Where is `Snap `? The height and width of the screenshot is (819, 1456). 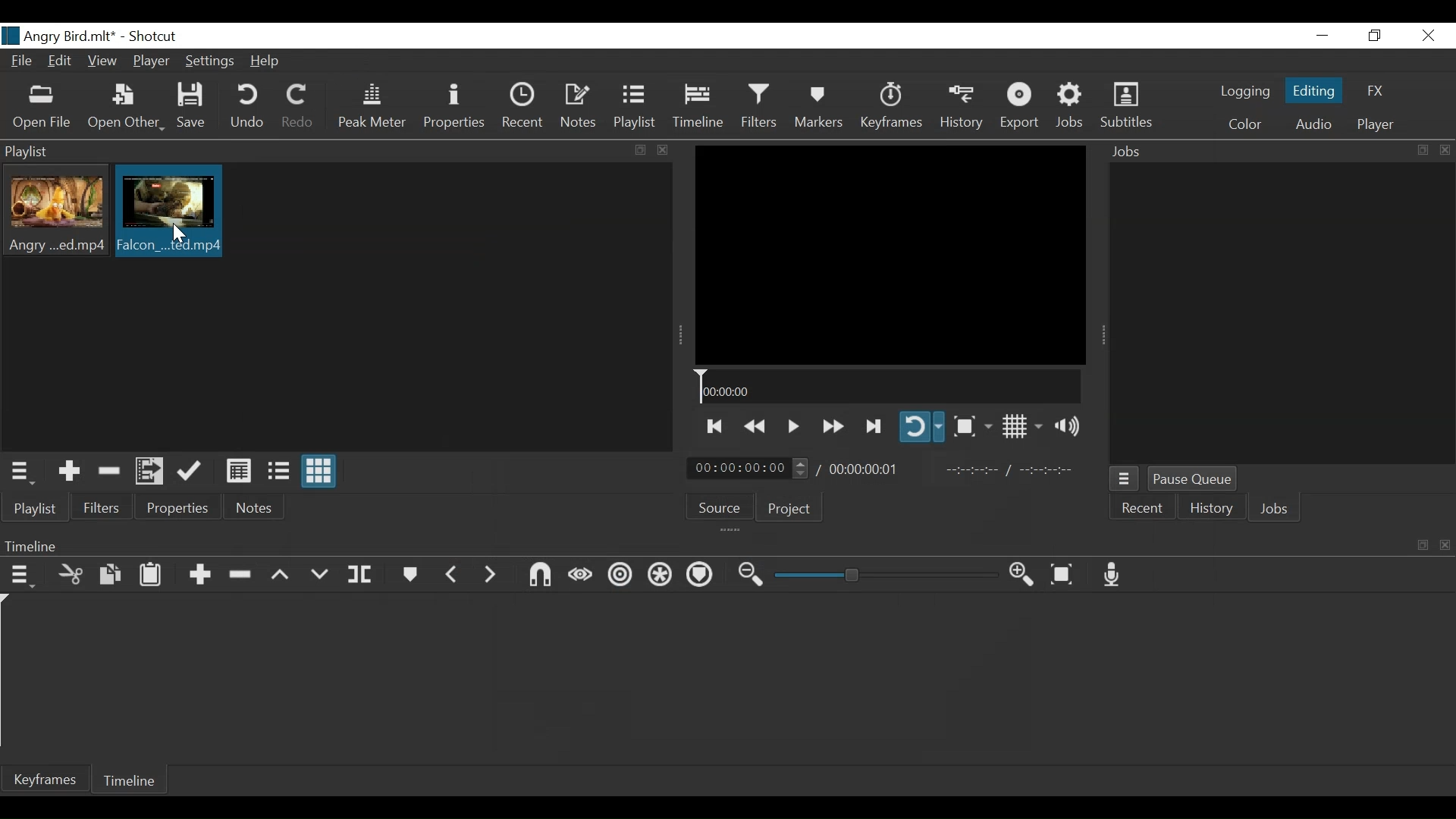 Snap  is located at coordinates (540, 576).